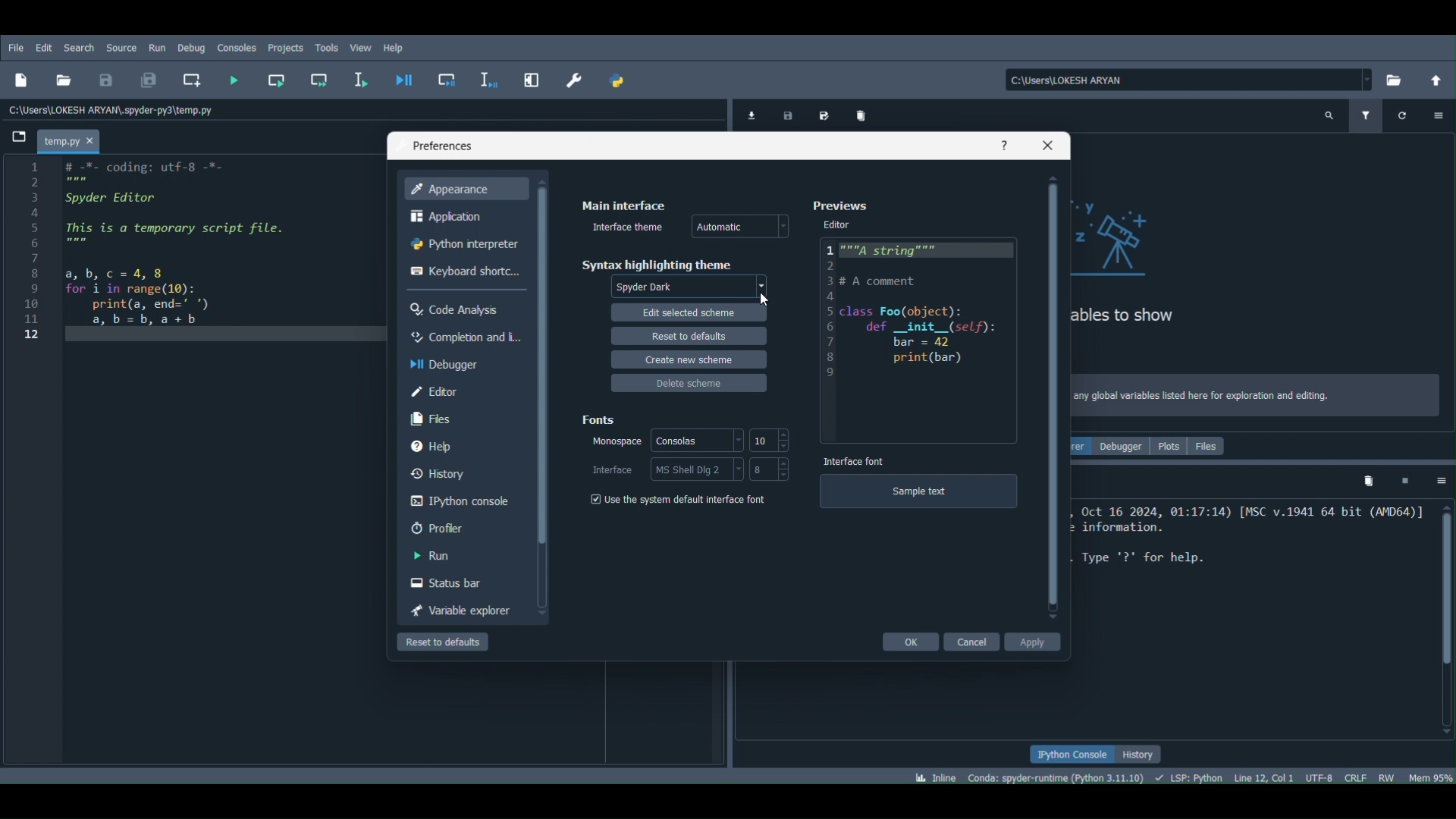 This screenshot has width=1456, height=819. Describe the element at coordinates (1400, 76) in the screenshot. I see `Browse a working directory` at that location.